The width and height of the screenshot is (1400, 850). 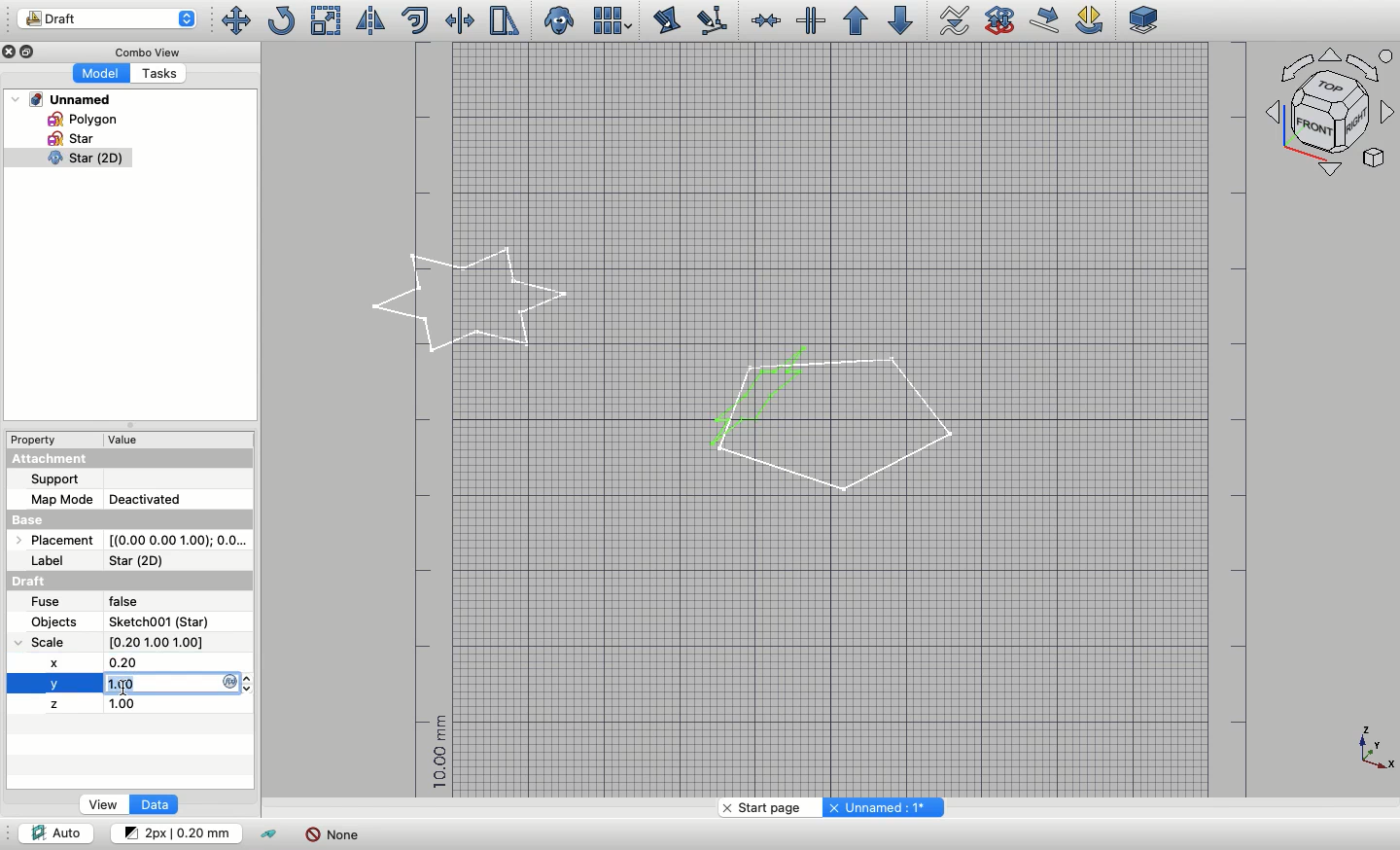 I want to click on Polygon, so click(x=79, y=119).